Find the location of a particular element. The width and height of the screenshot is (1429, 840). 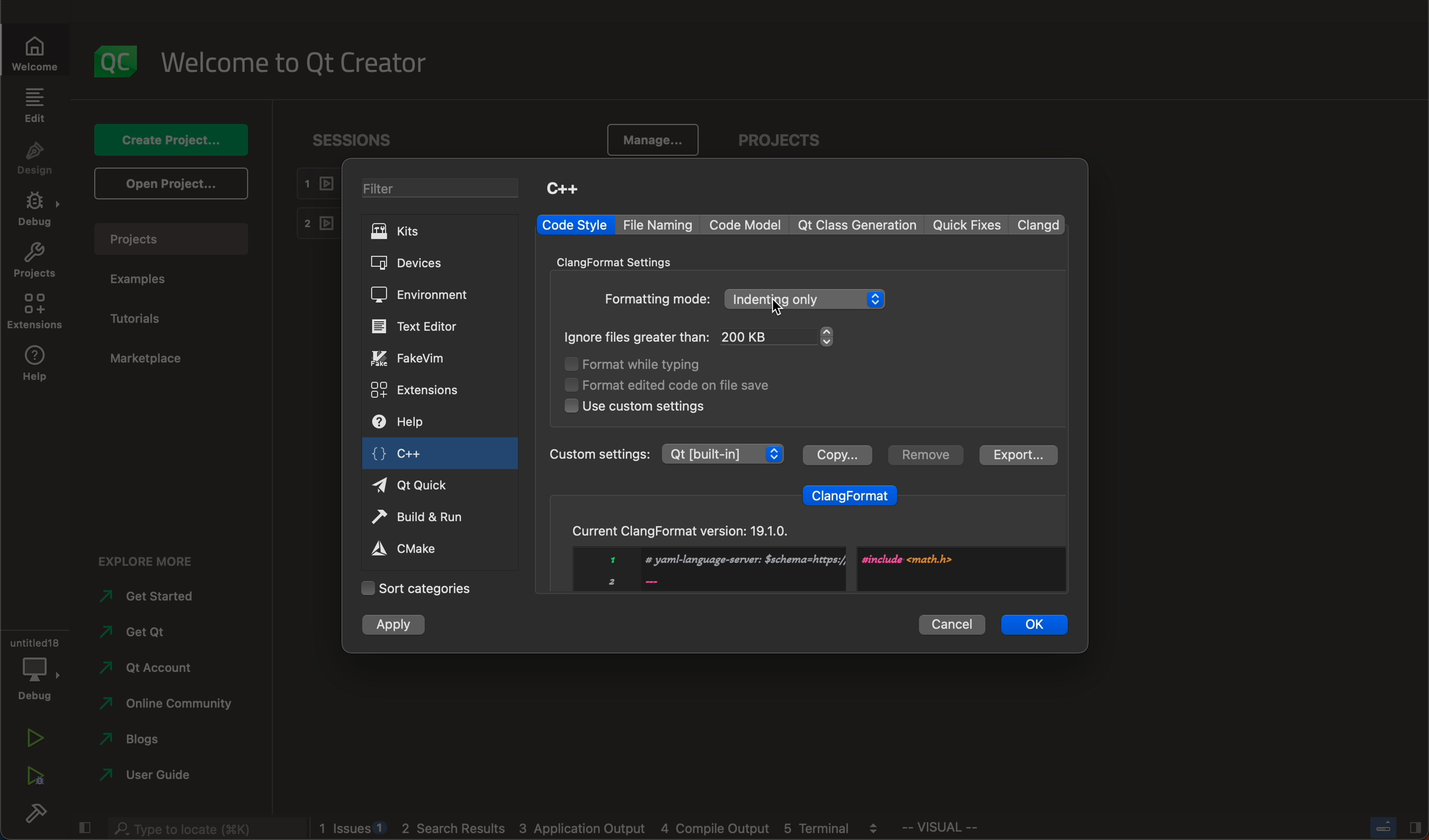

create is located at coordinates (168, 139).